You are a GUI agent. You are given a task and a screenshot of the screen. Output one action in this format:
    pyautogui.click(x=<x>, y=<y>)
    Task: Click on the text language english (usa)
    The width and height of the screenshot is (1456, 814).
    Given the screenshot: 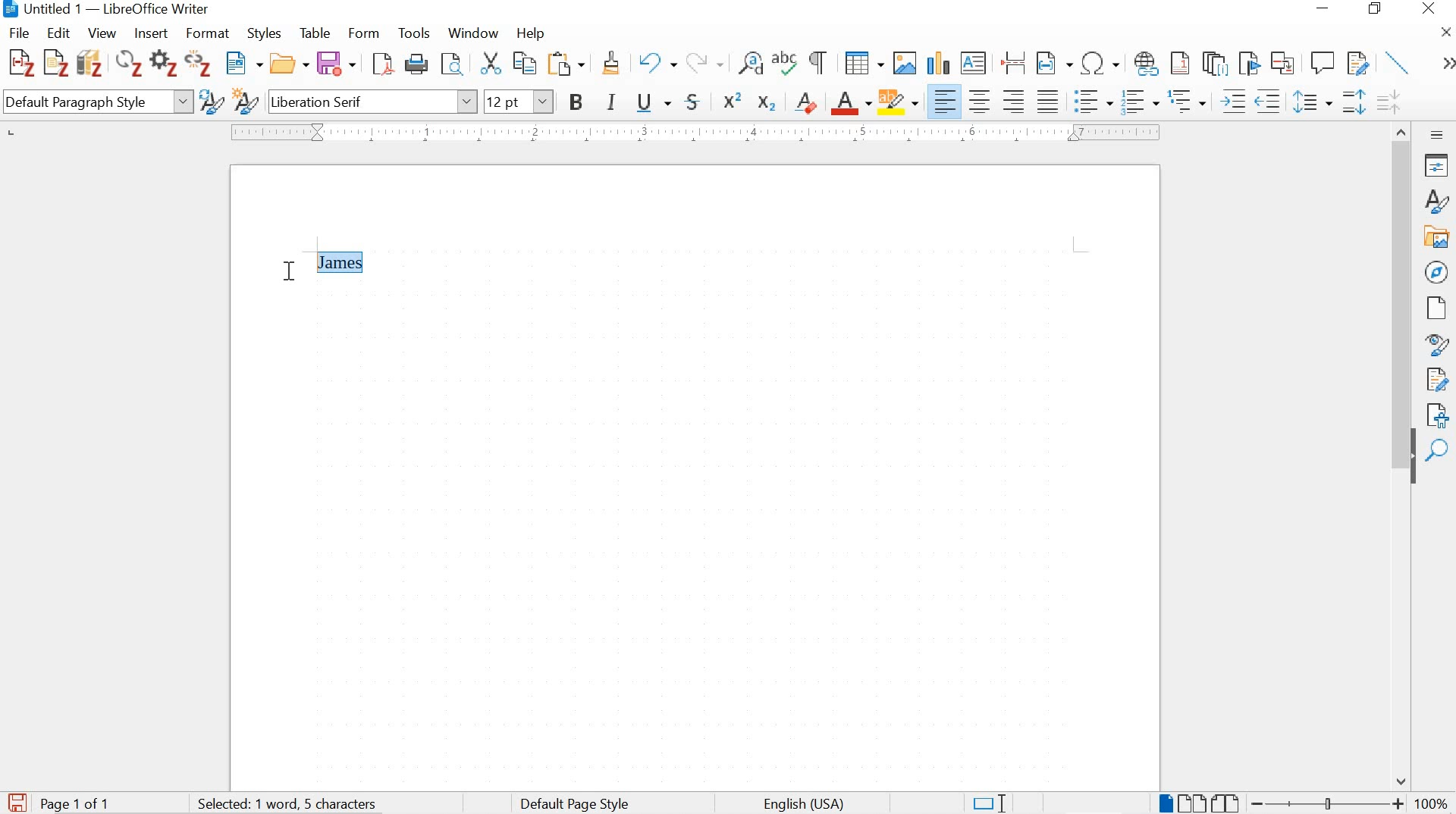 What is the action you would take?
    pyautogui.click(x=802, y=804)
    